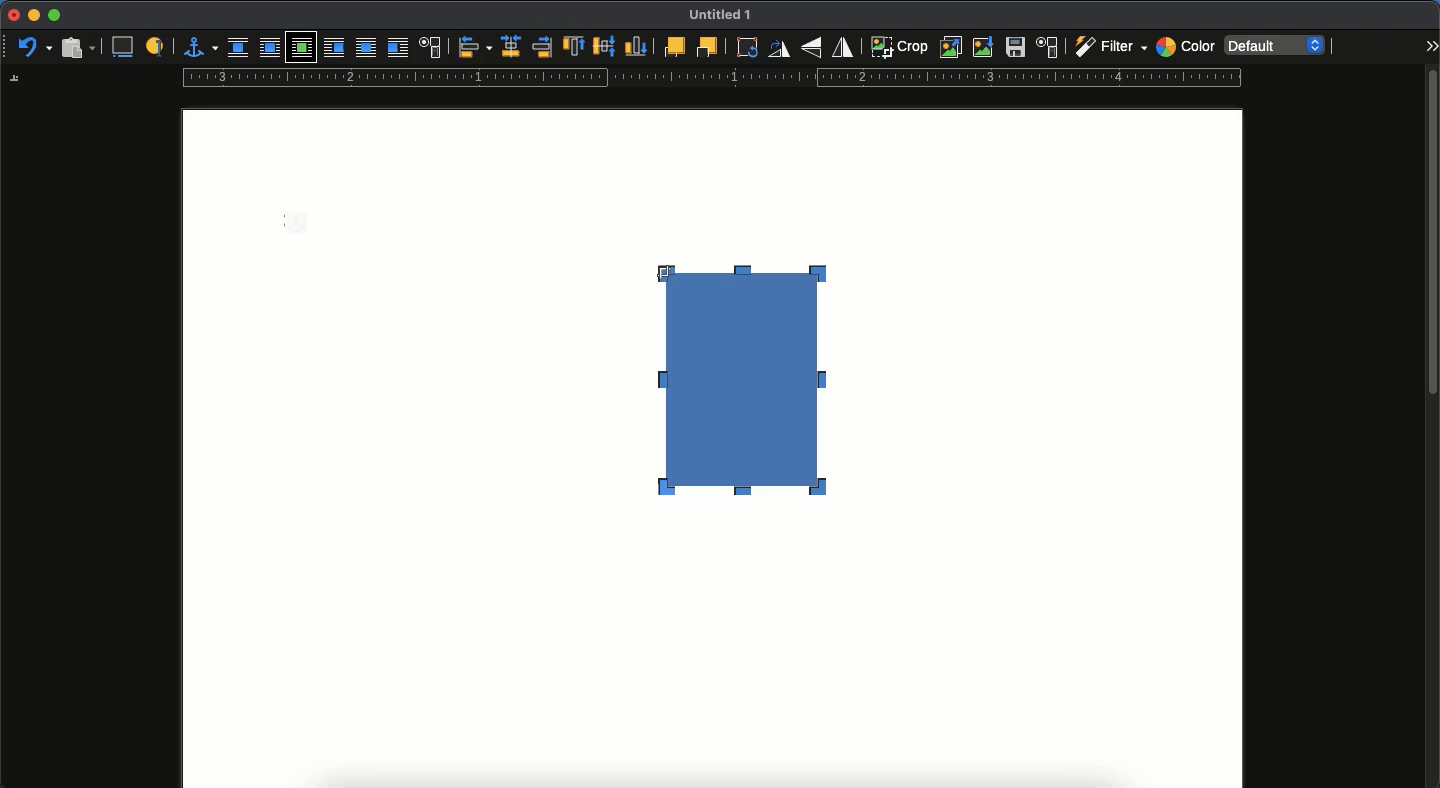 The height and width of the screenshot is (788, 1440). What do you see at coordinates (475, 47) in the screenshot?
I see `align objects` at bounding box center [475, 47].